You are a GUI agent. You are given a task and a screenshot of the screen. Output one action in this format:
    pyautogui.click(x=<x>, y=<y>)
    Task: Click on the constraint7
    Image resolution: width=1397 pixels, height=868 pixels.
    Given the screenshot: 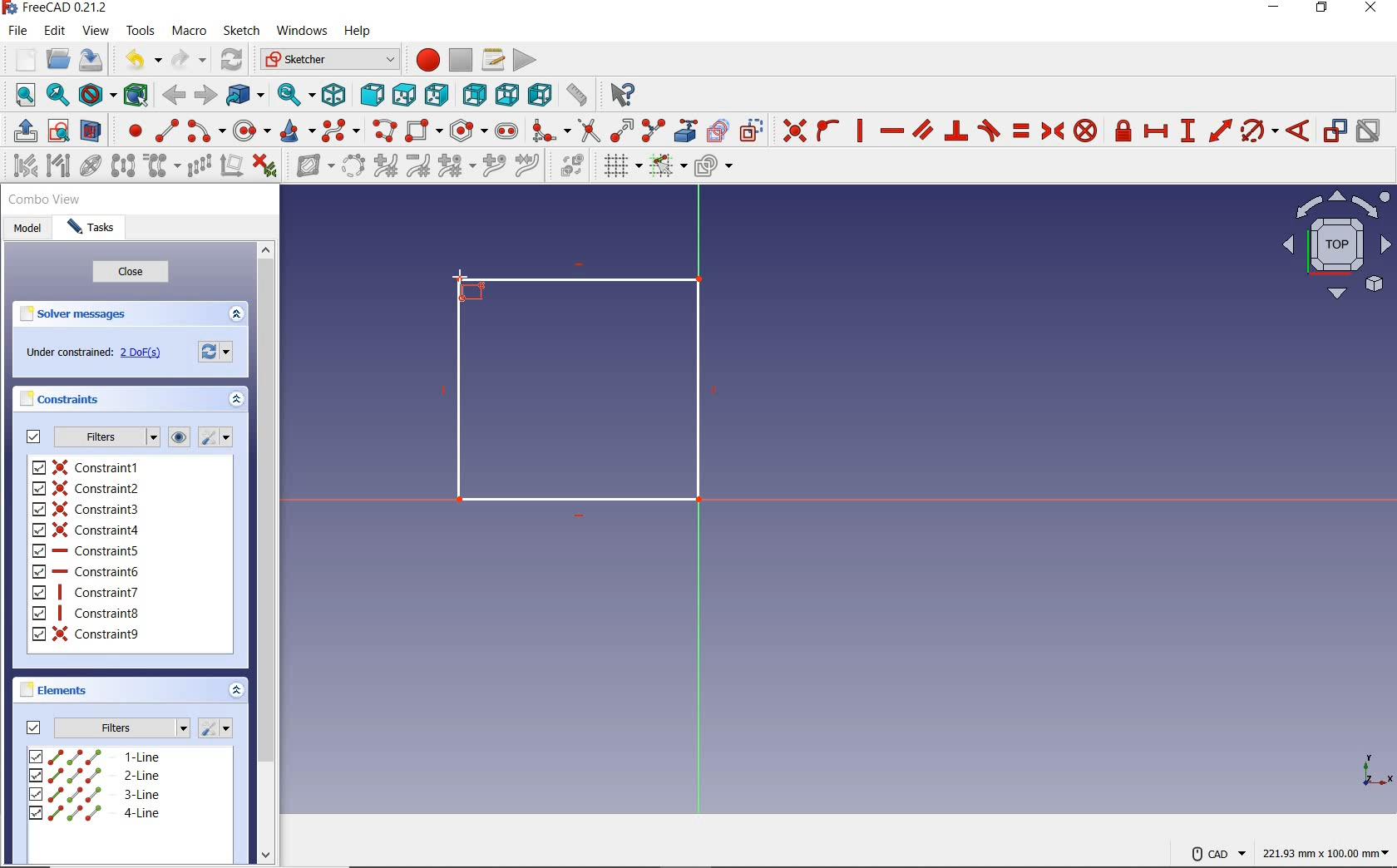 What is the action you would take?
    pyautogui.click(x=87, y=591)
    